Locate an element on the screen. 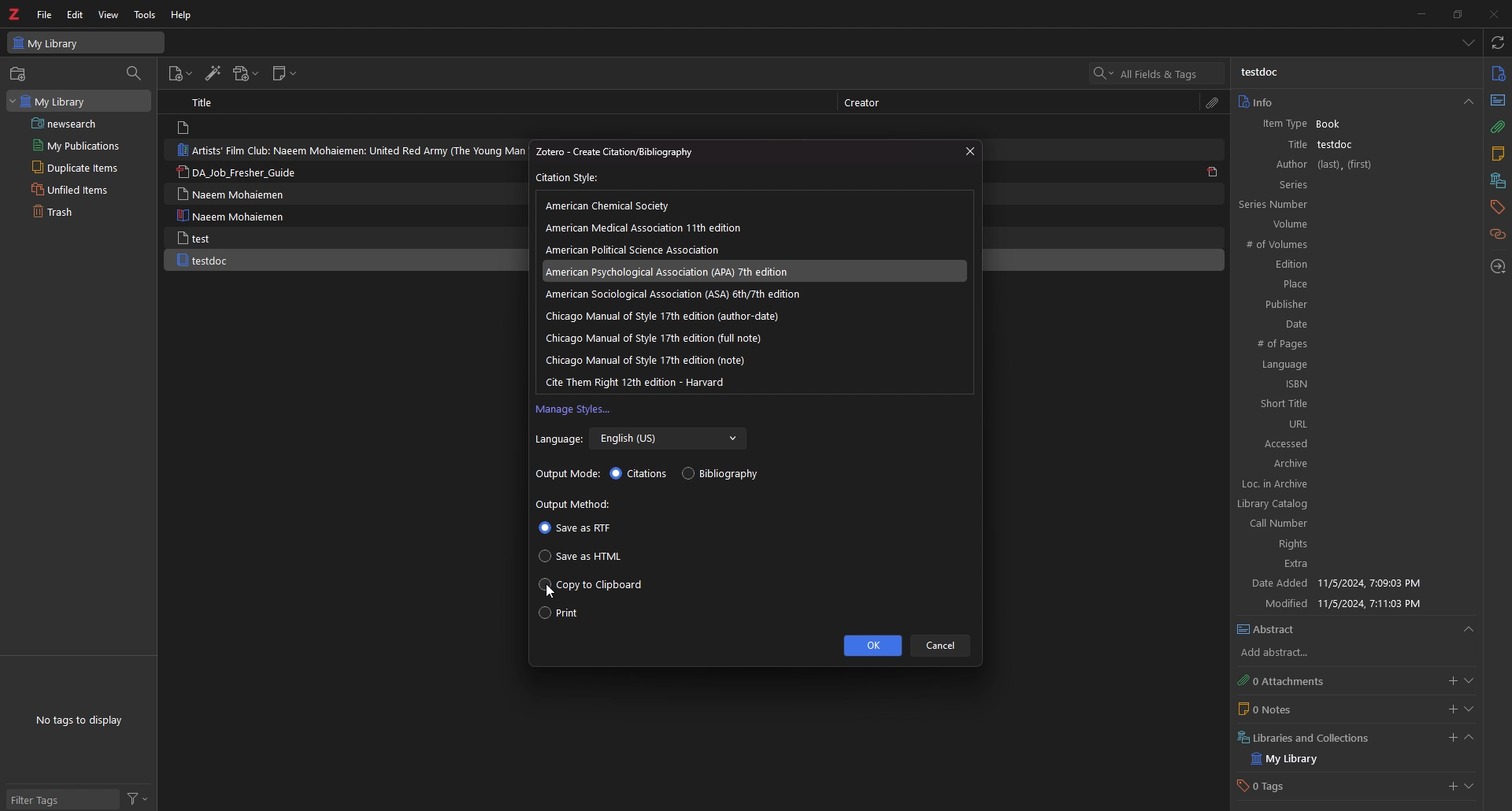 This screenshot has height=811, width=1512. american medical association is located at coordinates (653, 228).